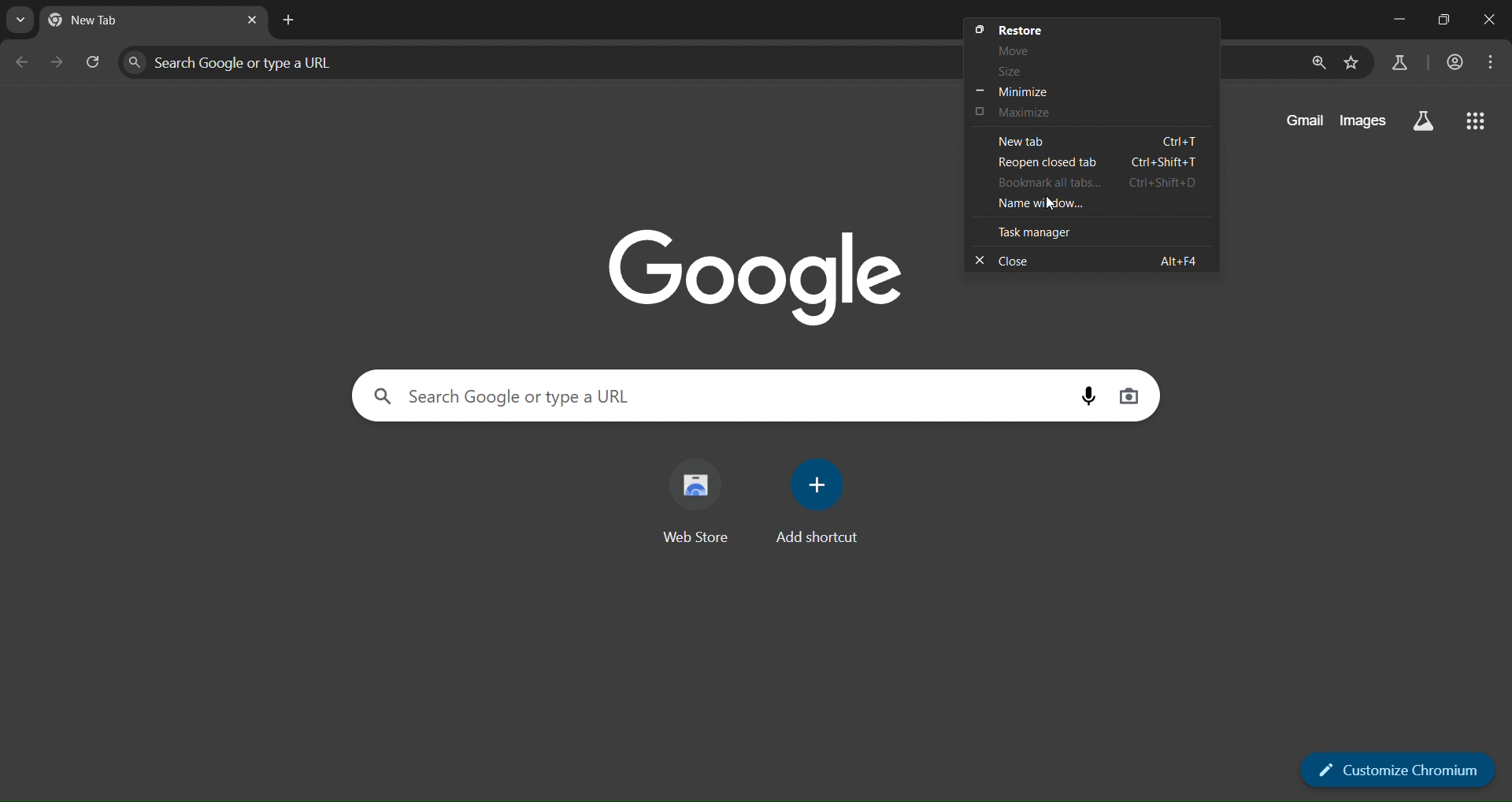 This screenshot has height=802, width=1512. I want to click on go back one page, so click(24, 60).